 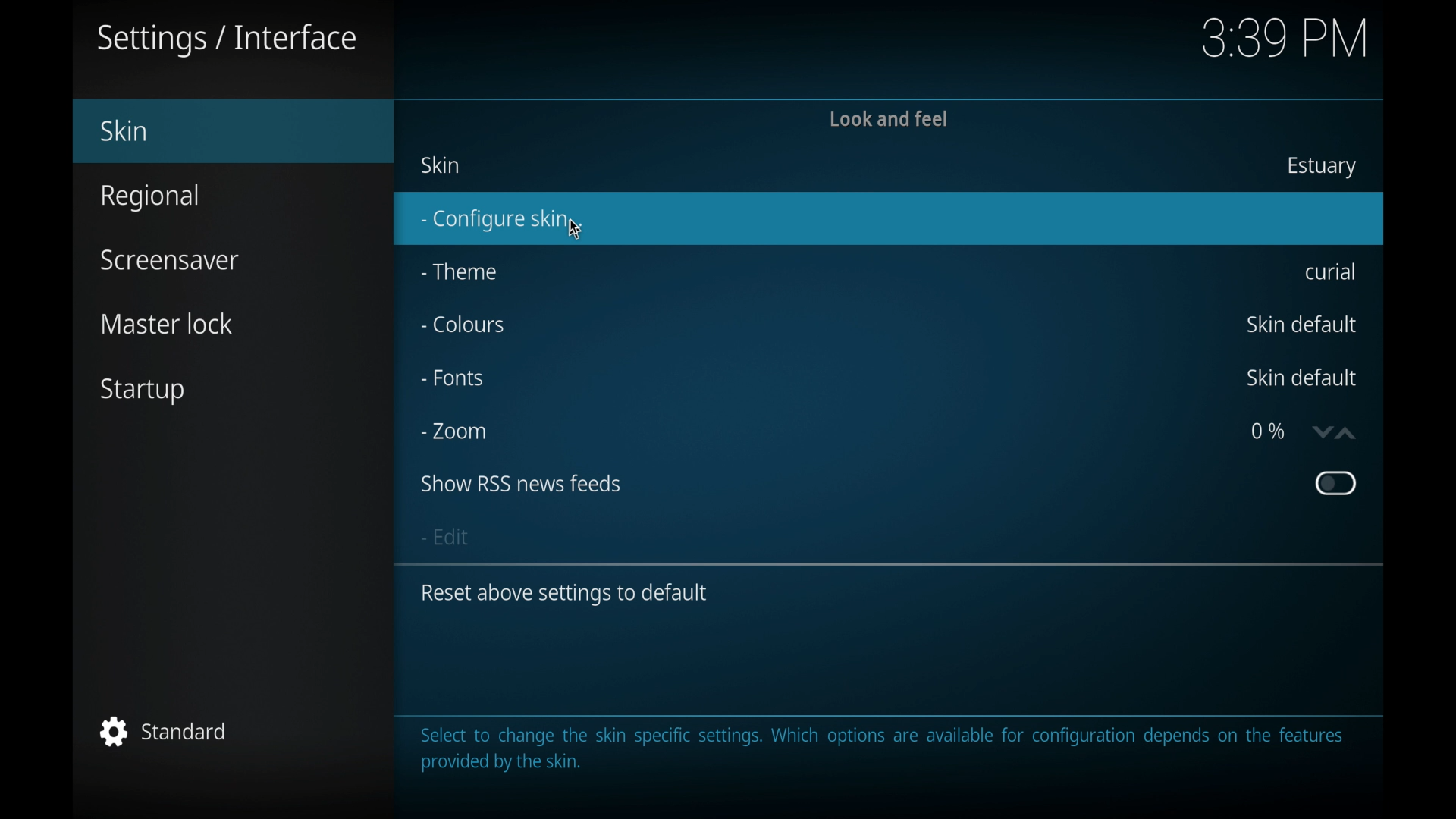 I want to click on show rss news feeds, so click(x=520, y=484).